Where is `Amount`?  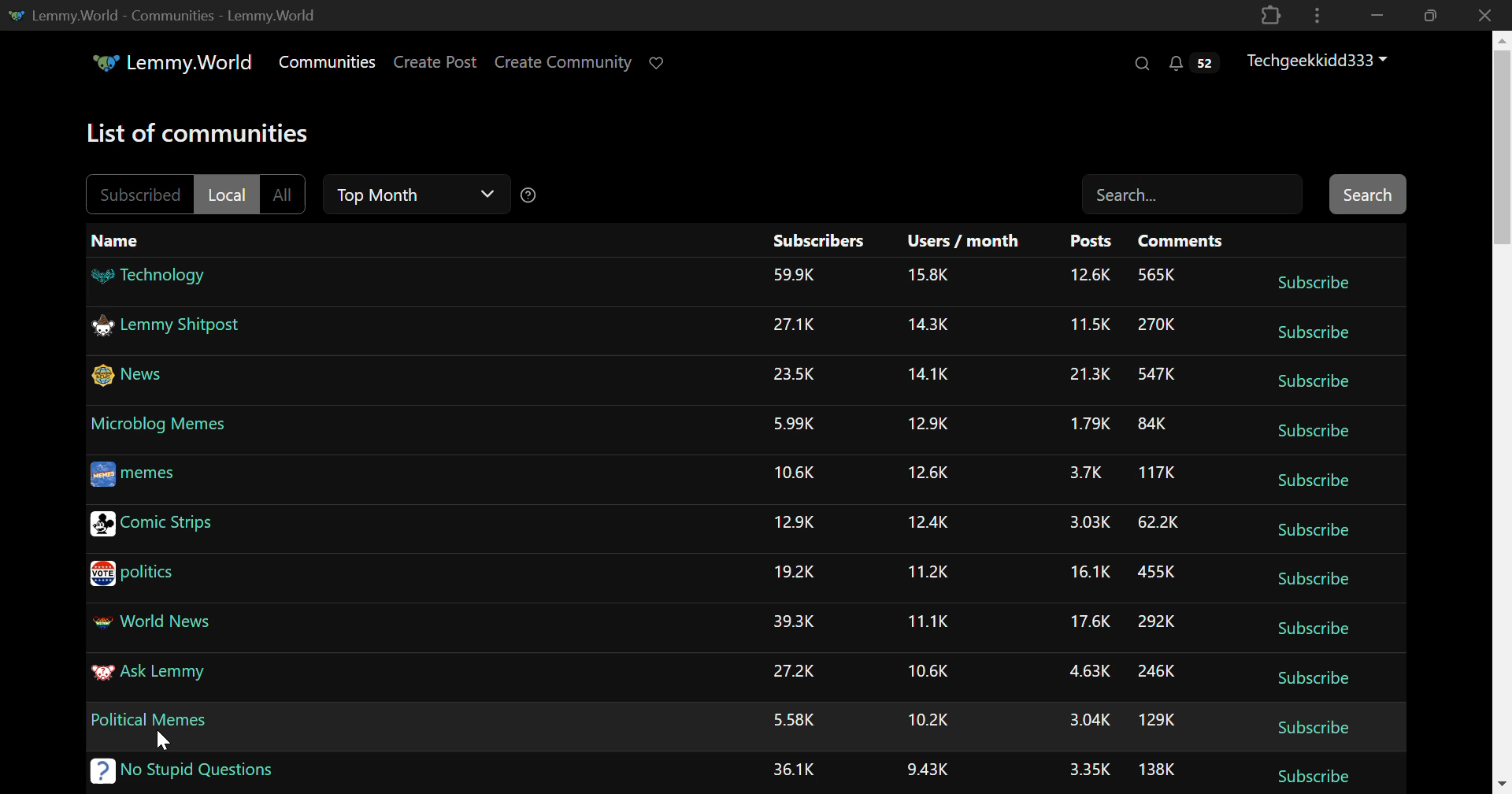 Amount is located at coordinates (794, 425).